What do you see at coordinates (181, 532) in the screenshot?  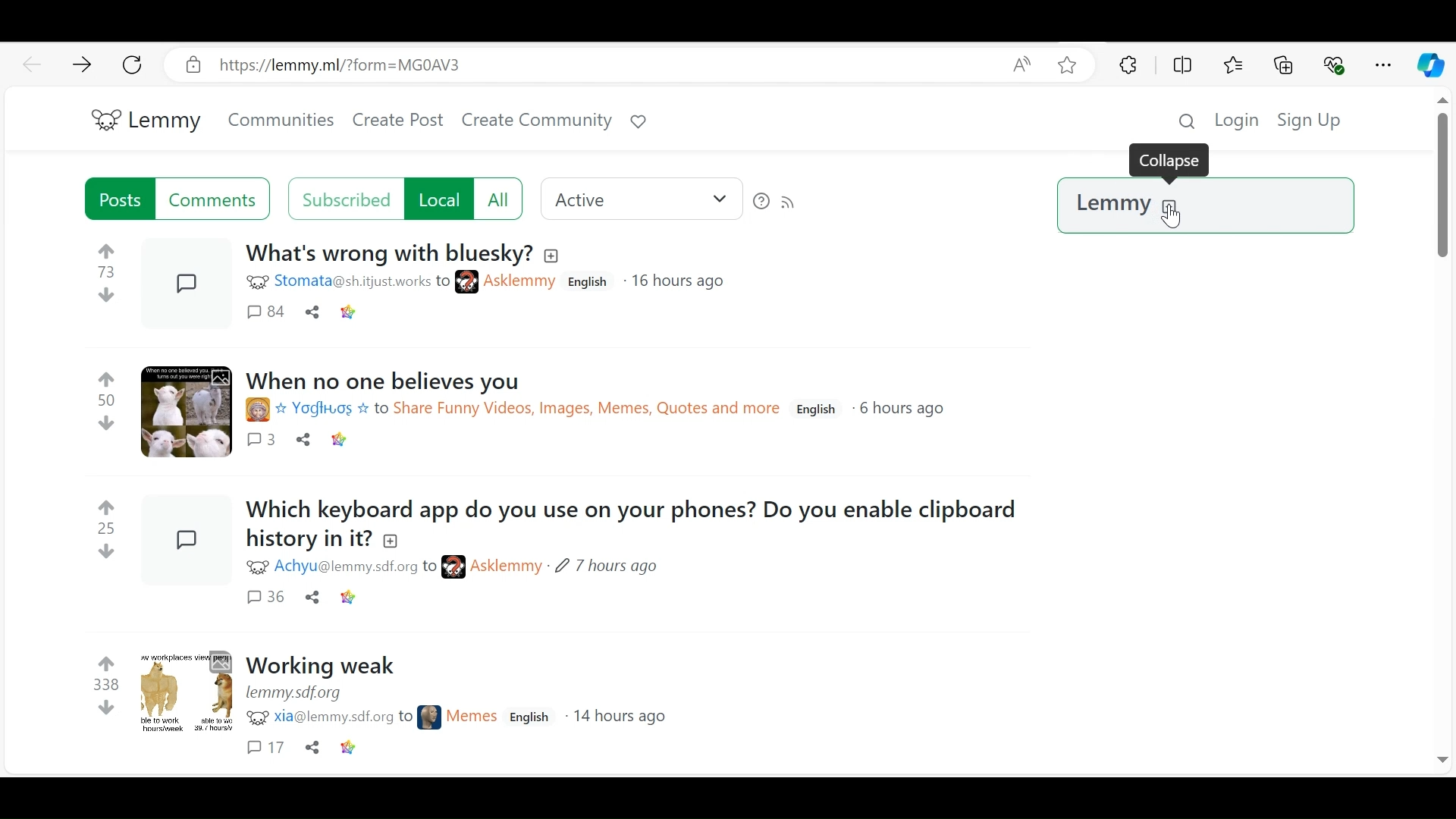 I see `Post` at bounding box center [181, 532].